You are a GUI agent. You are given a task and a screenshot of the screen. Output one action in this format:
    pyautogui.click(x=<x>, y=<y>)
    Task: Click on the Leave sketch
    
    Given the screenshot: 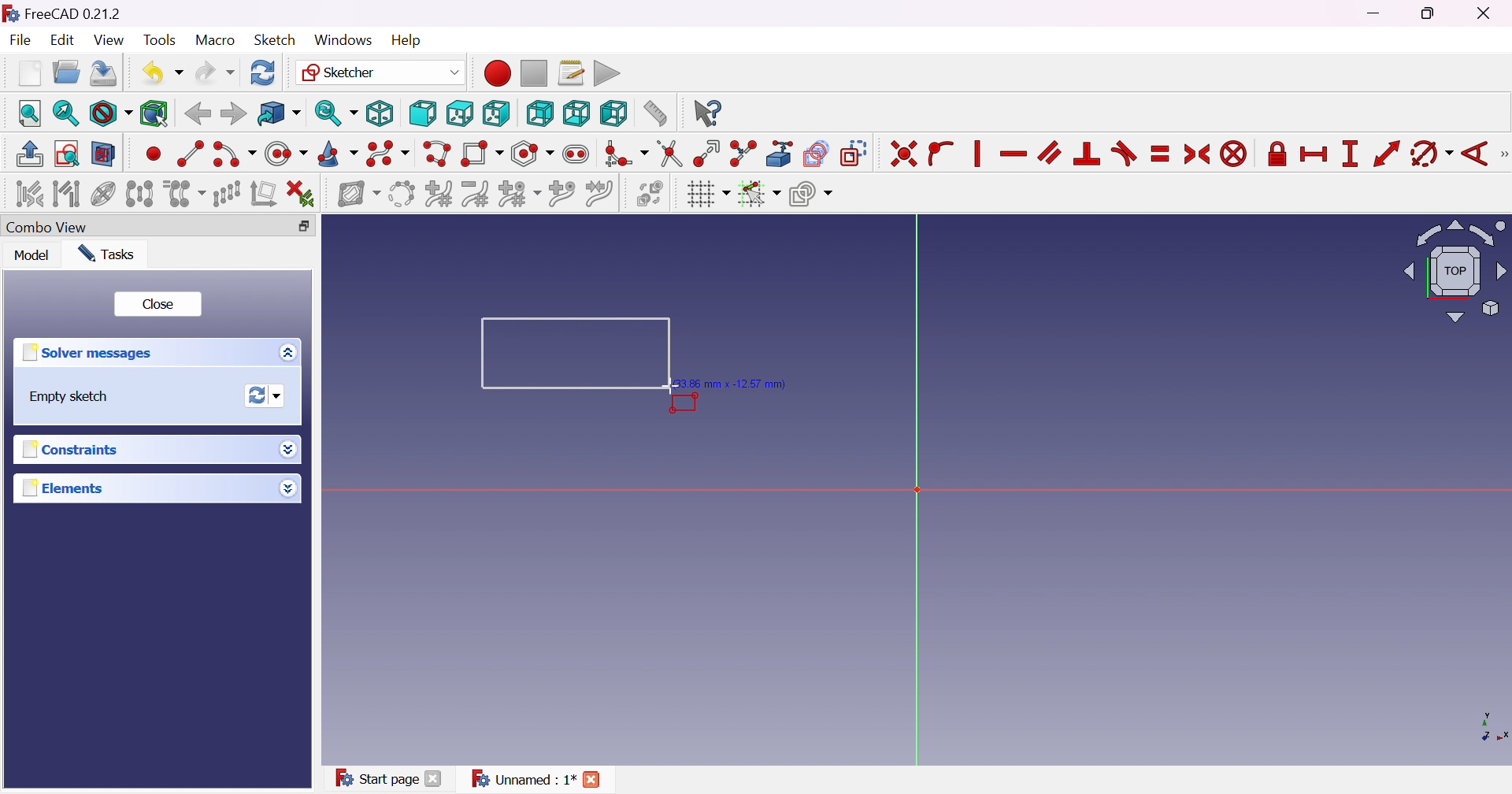 What is the action you would take?
    pyautogui.click(x=31, y=154)
    